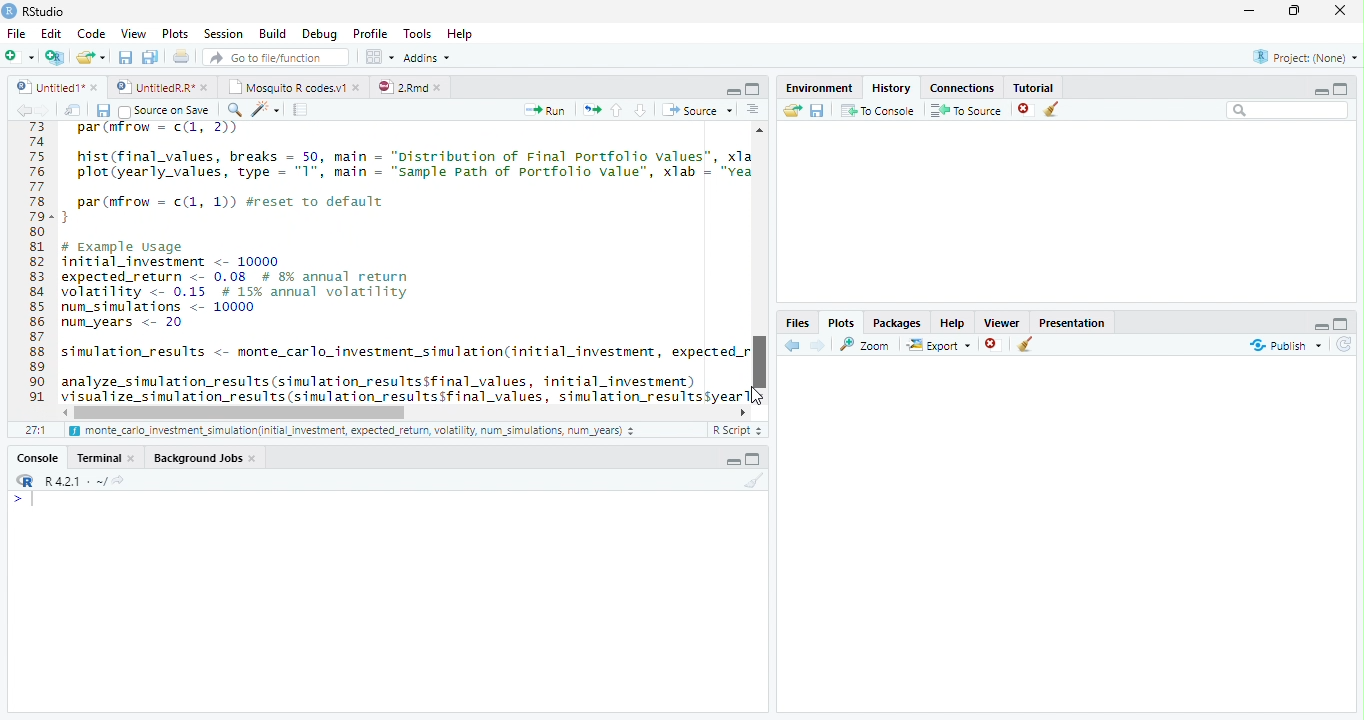 The width and height of the screenshot is (1364, 720). What do you see at coordinates (758, 399) in the screenshot?
I see `Mouse Cursor` at bounding box center [758, 399].